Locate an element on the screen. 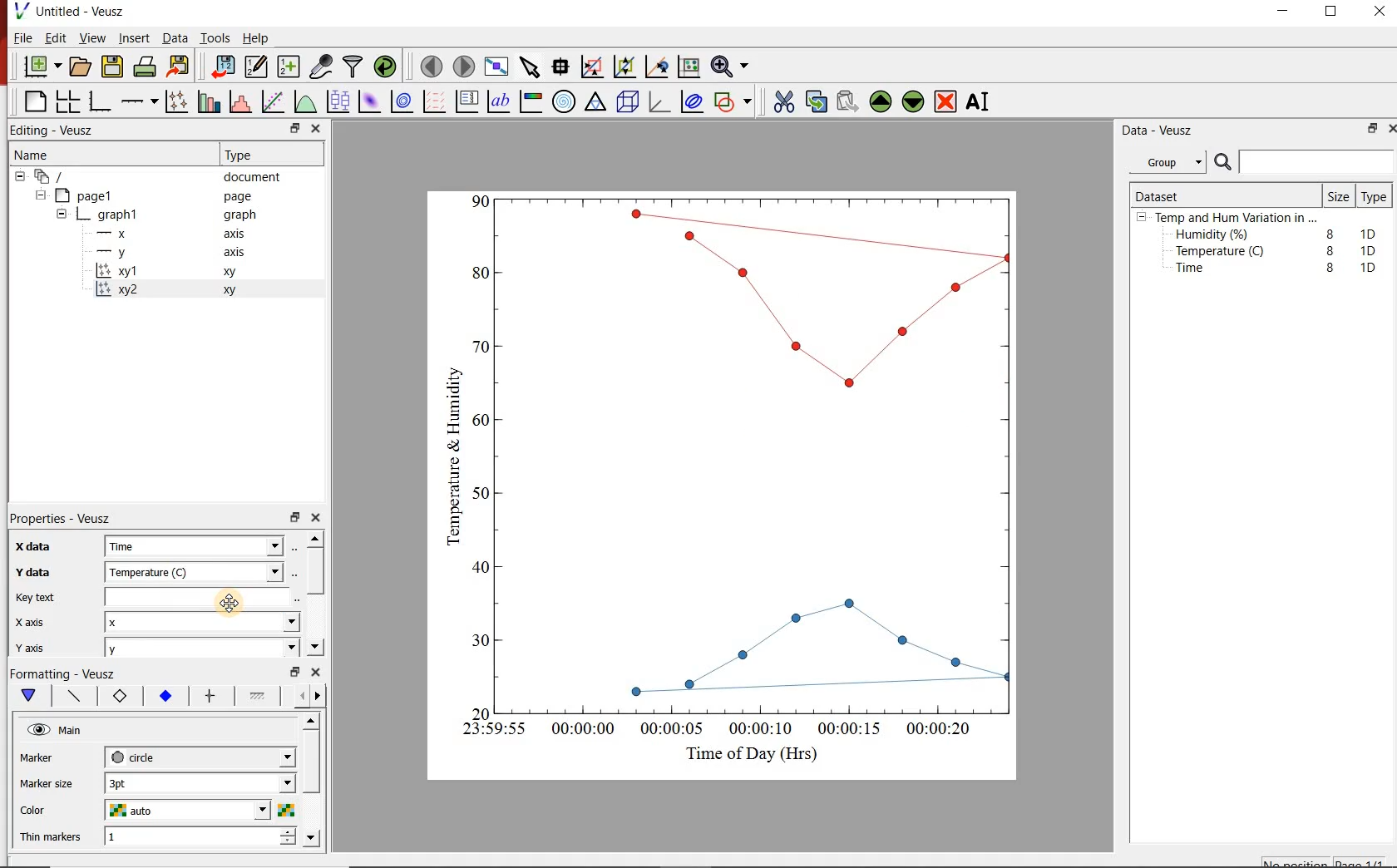 The width and height of the screenshot is (1397, 868). Help is located at coordinates (257, 37).